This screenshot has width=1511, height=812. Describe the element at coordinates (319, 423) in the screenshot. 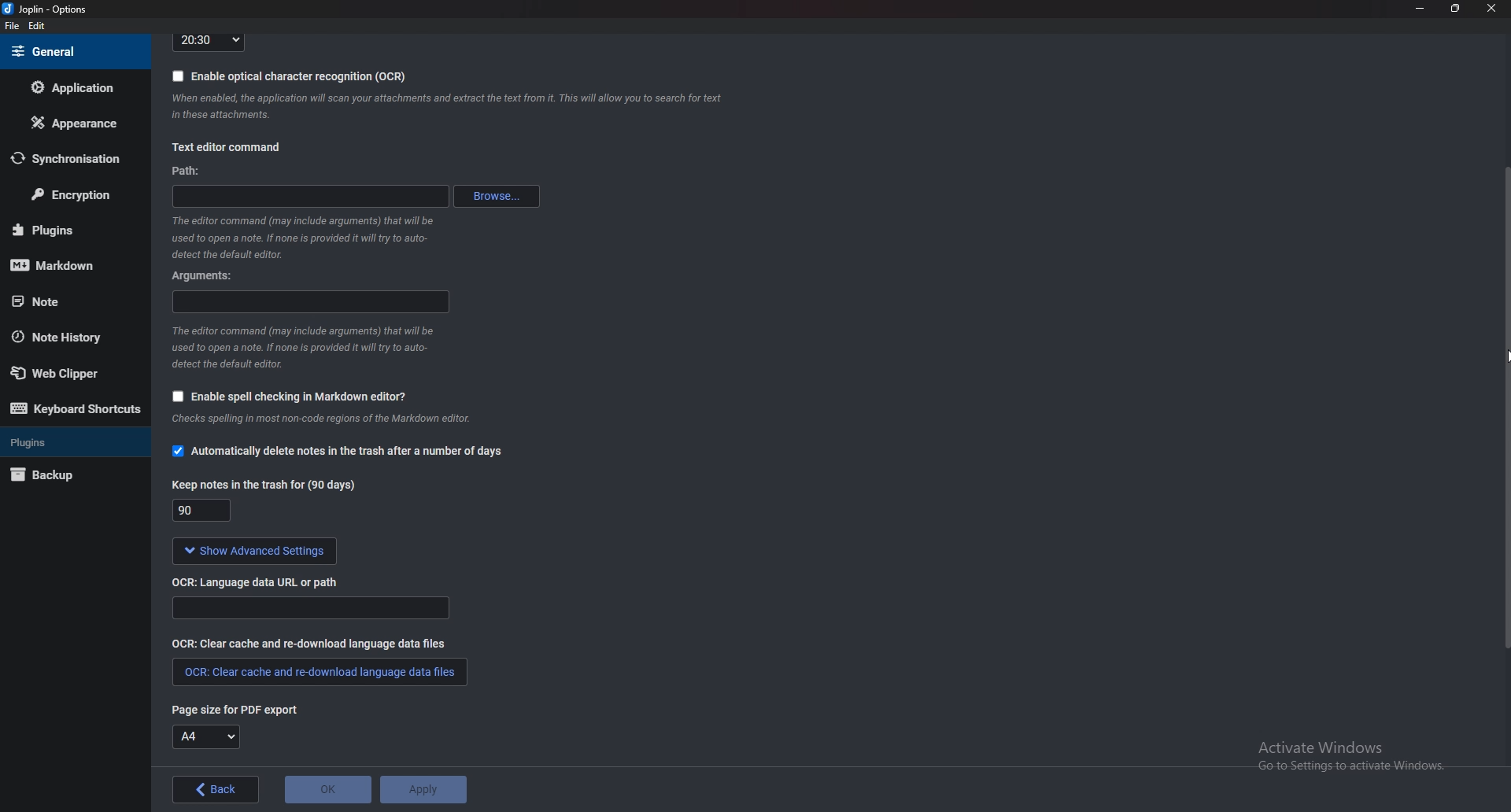

I see `Info on spell checking` at that location.